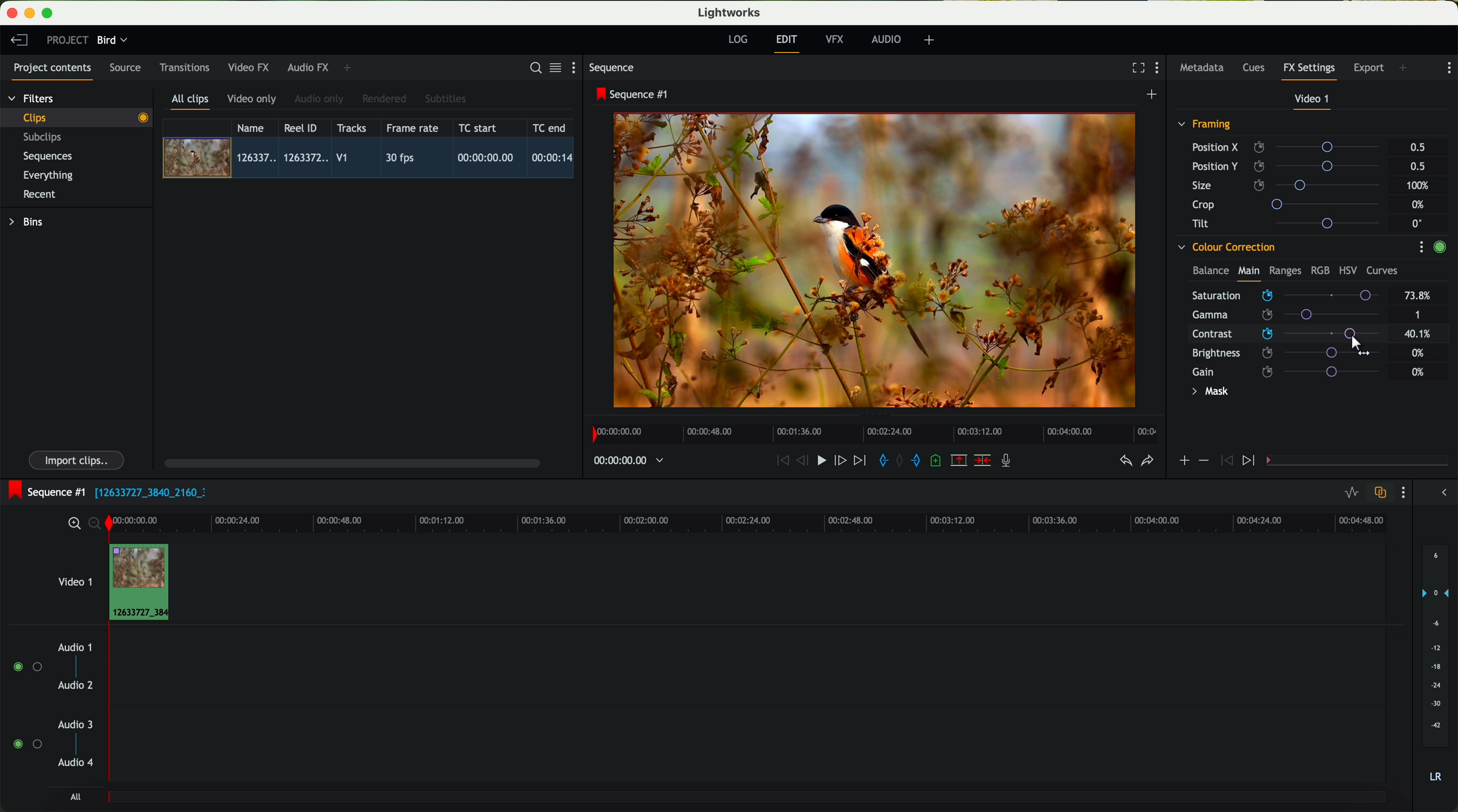  What do you see at coordinates (1284, 334) in the screenshot?
I see `click on contrast` at bounding box center [1284, 334].